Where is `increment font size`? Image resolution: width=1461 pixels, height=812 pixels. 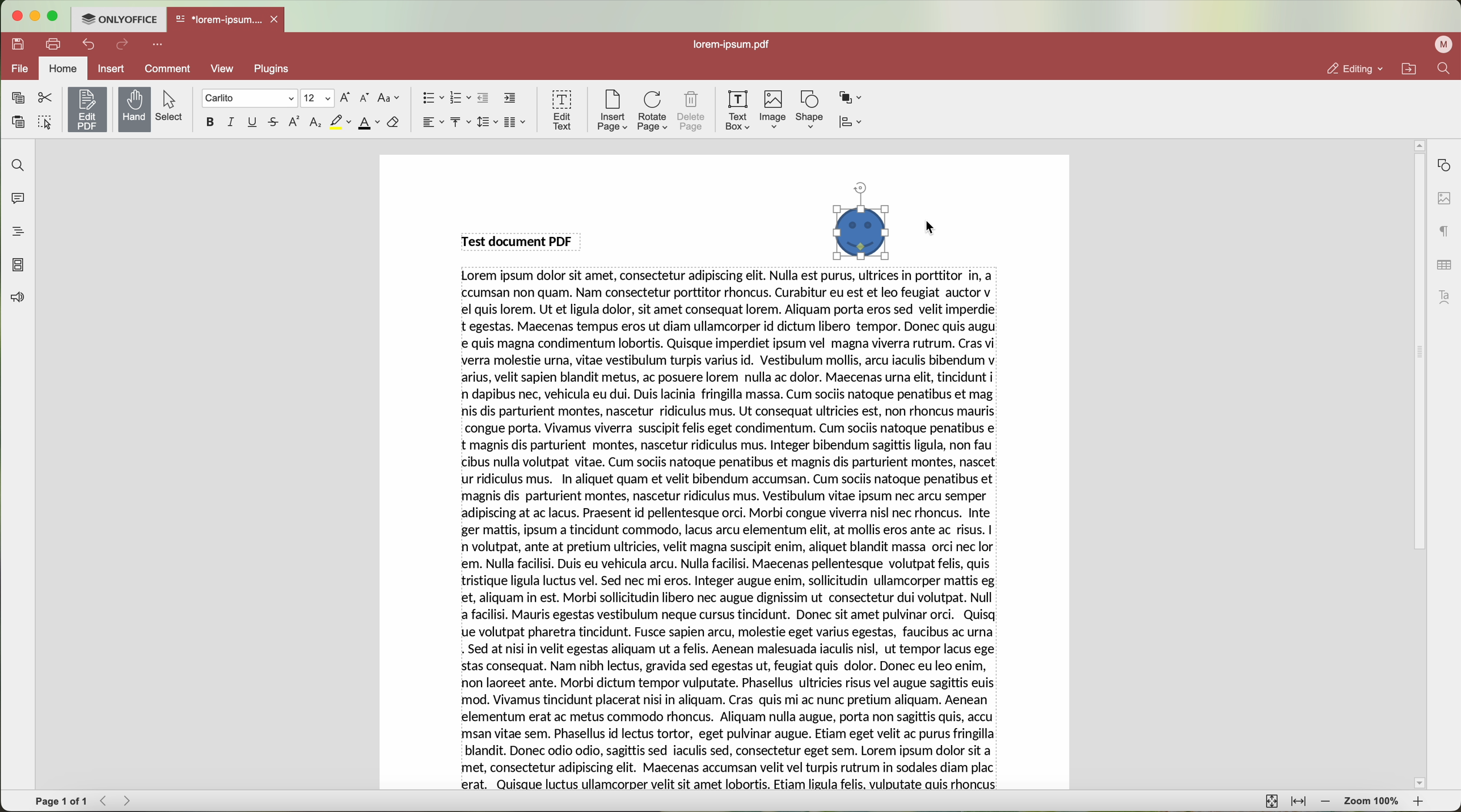 increment font size is located at coordinates (348, 96).